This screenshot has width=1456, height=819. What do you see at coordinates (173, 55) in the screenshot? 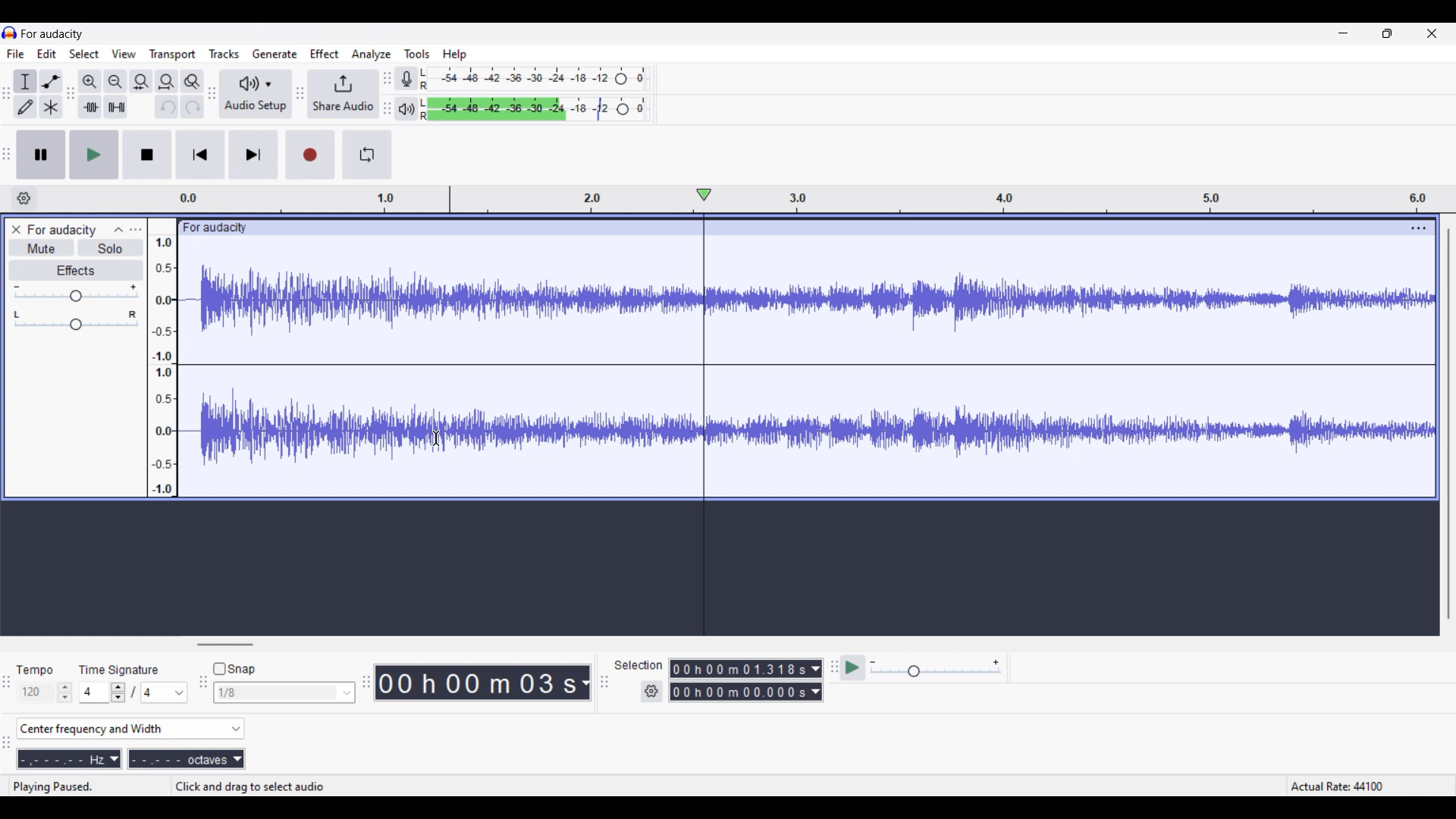
I see `Trasport menu` at bounding box center [173, 55].